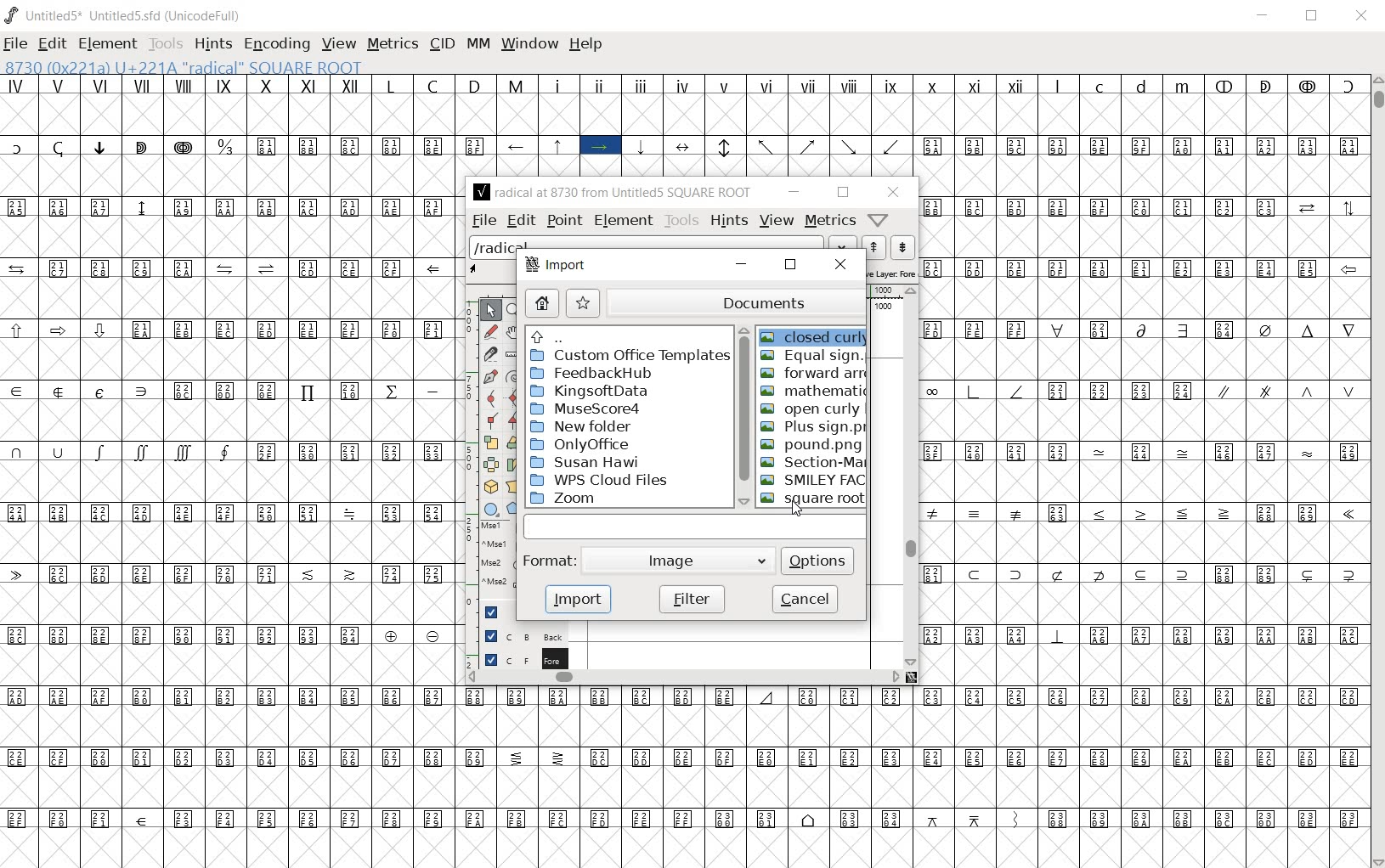 This screenshot has height=868, width=1385. I want to click on pointer, so click(492, 308).